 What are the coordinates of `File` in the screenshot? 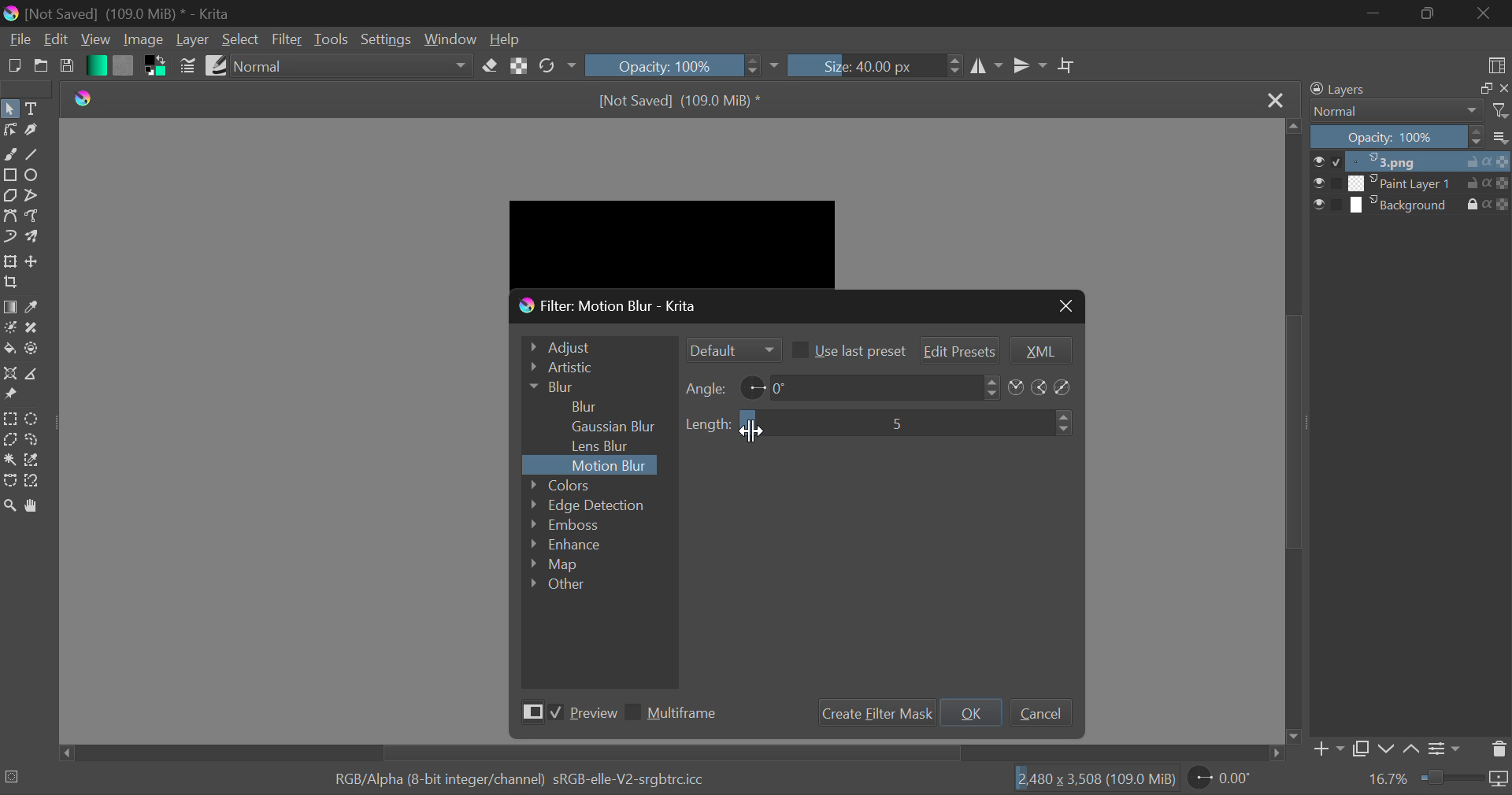 It's located at (18, 42).